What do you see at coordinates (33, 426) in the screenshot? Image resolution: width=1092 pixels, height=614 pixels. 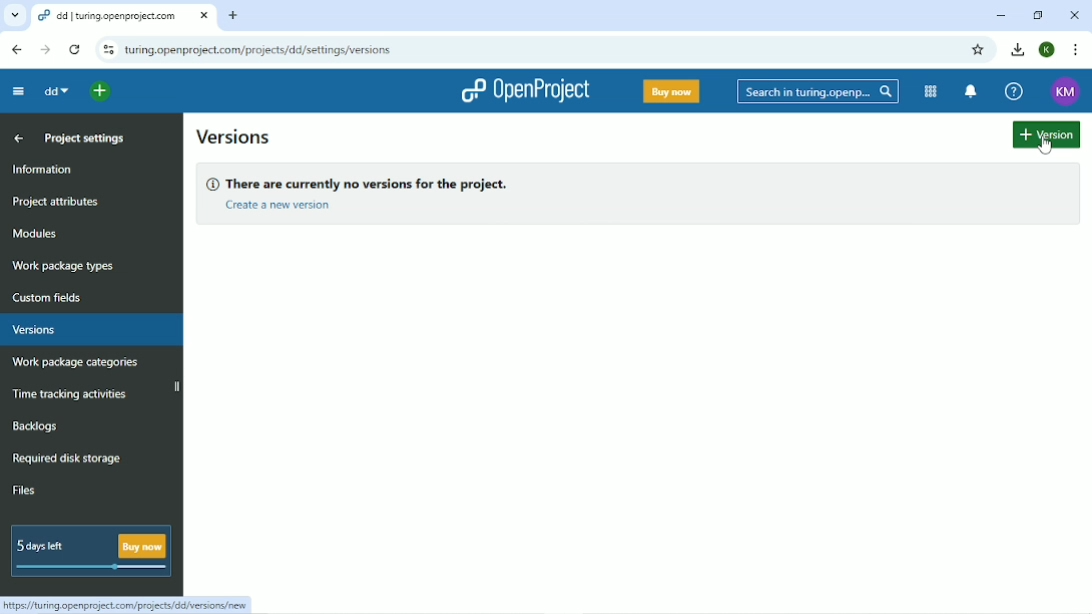 I see `Backlogs` at bounding box center [33, 426].